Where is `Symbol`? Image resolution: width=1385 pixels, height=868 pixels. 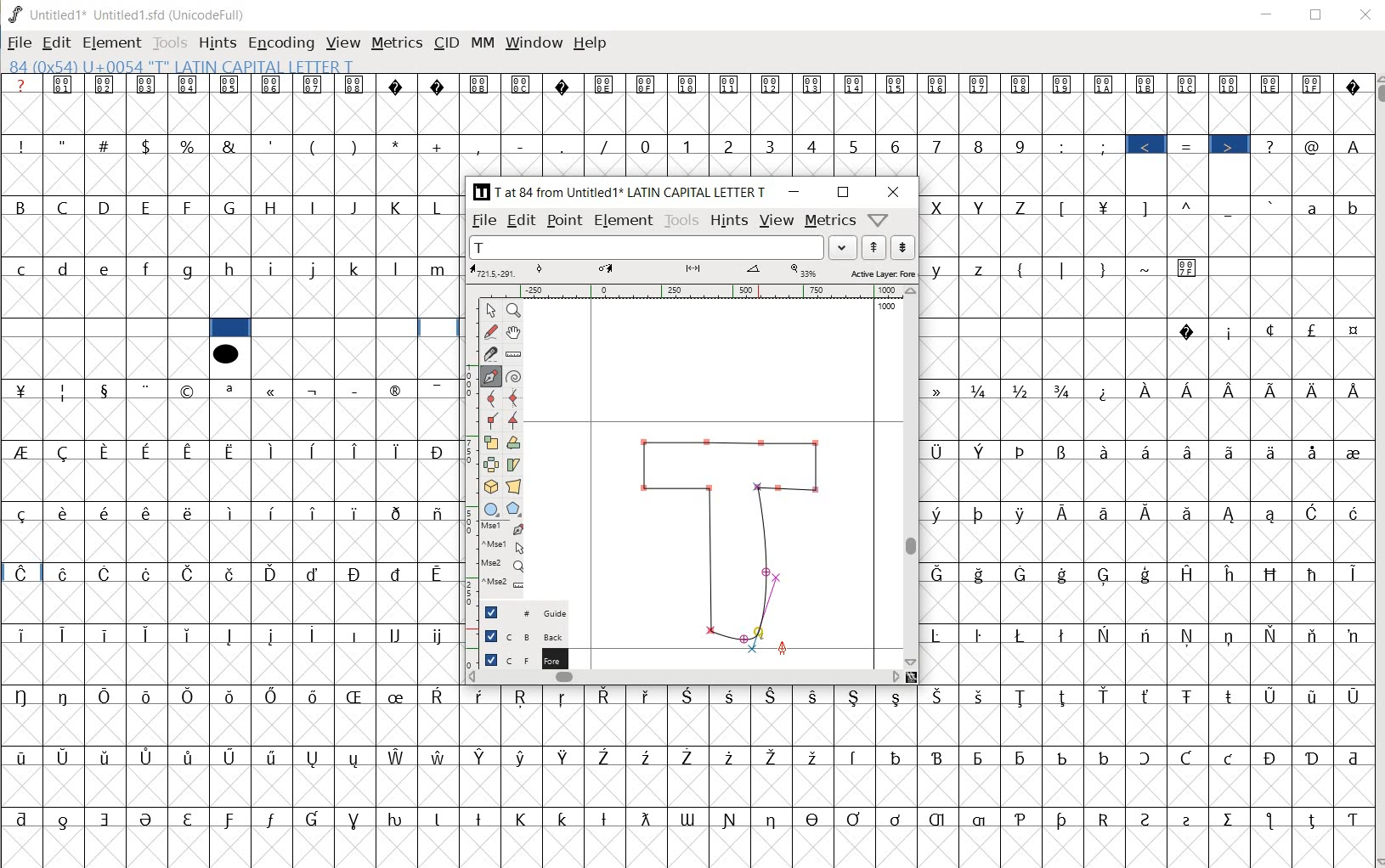 Symbol is located at coordinates (187, 84).